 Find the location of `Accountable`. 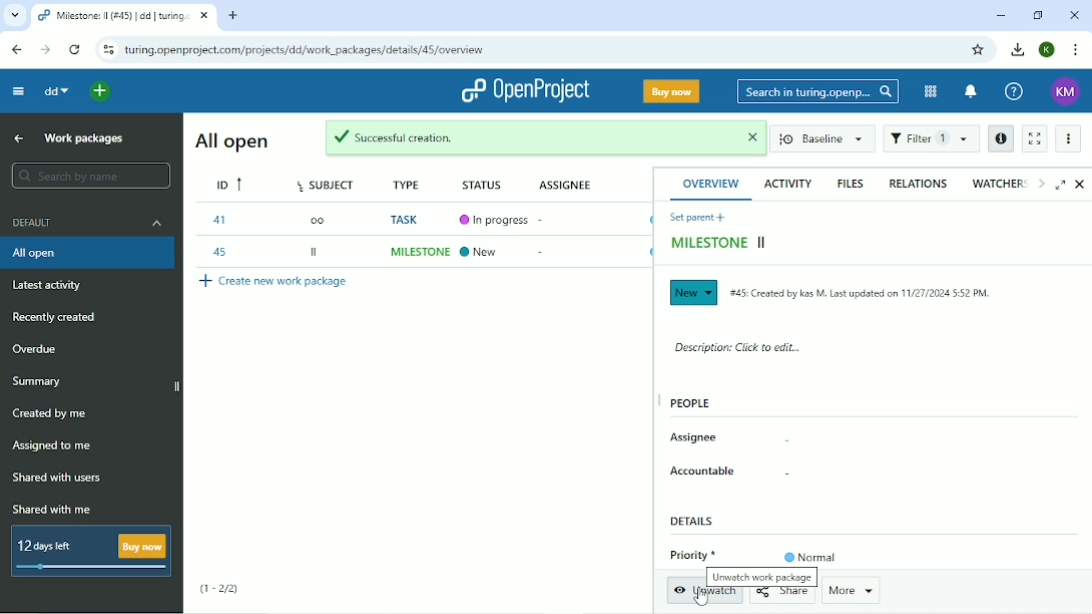

Accountable is located at coordinates (704, 471).